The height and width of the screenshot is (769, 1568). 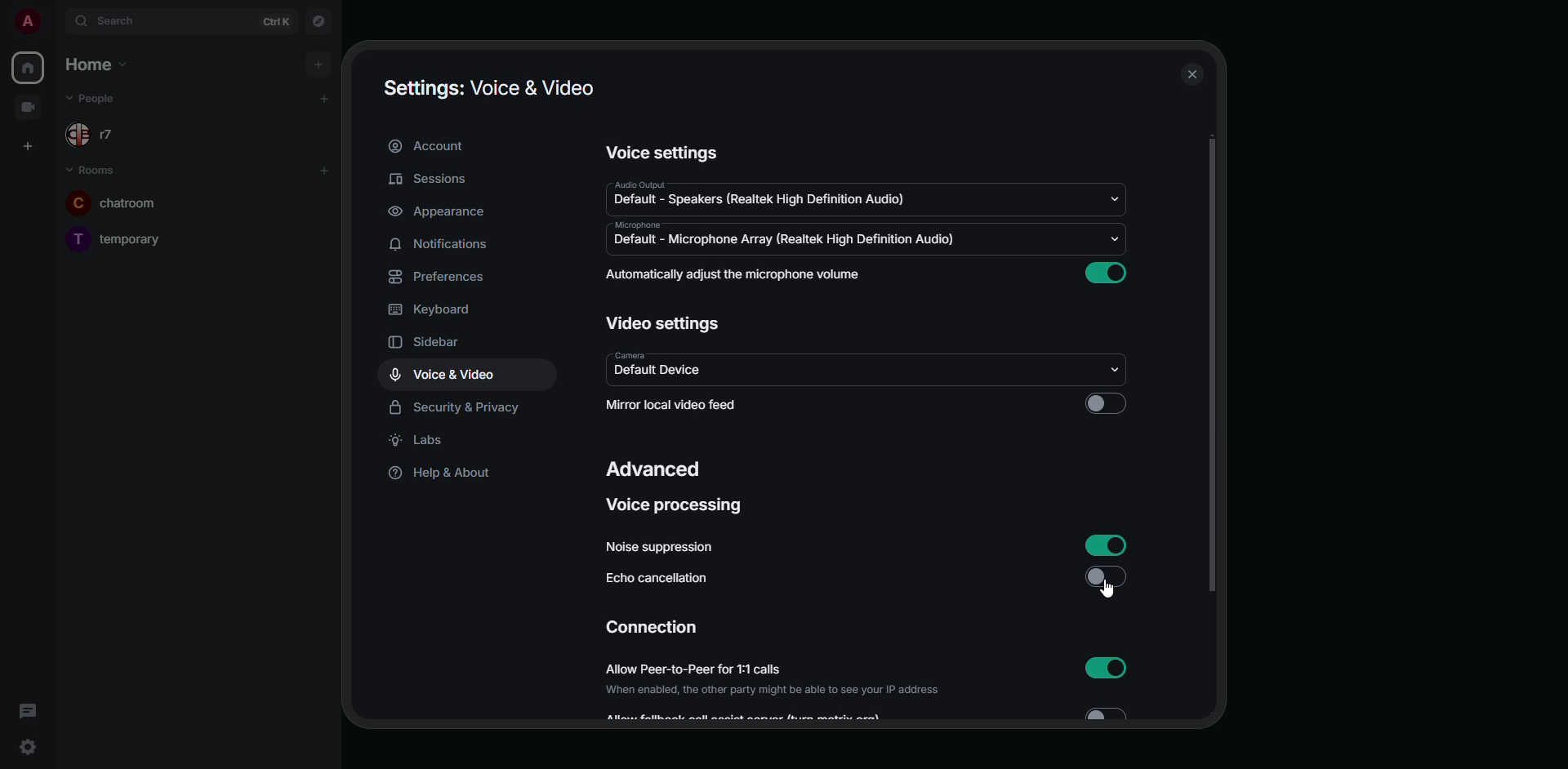 I want to click on ctrl K, so click(x=276, y=22).